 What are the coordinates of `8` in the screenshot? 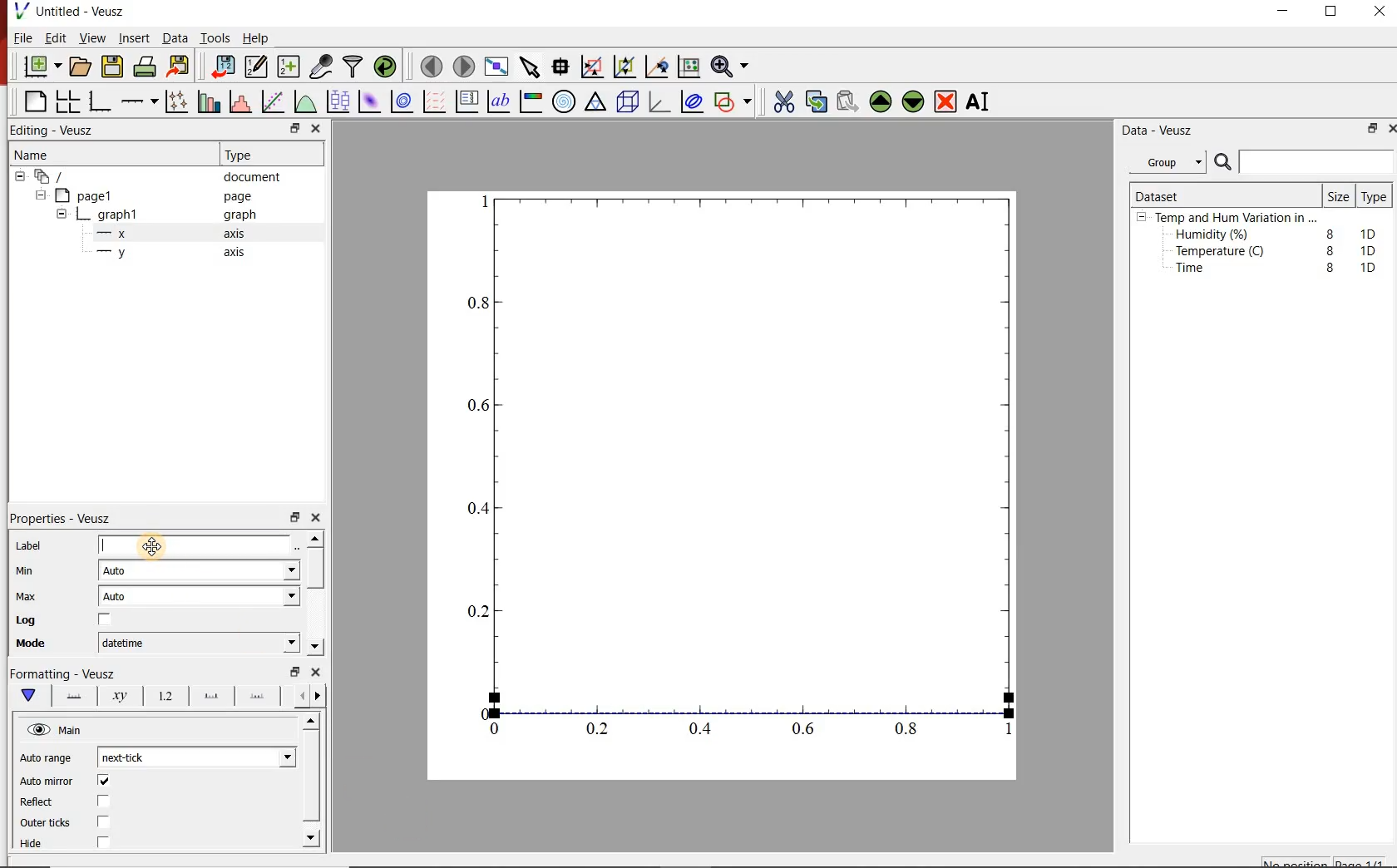 It's located at (1330, 268).